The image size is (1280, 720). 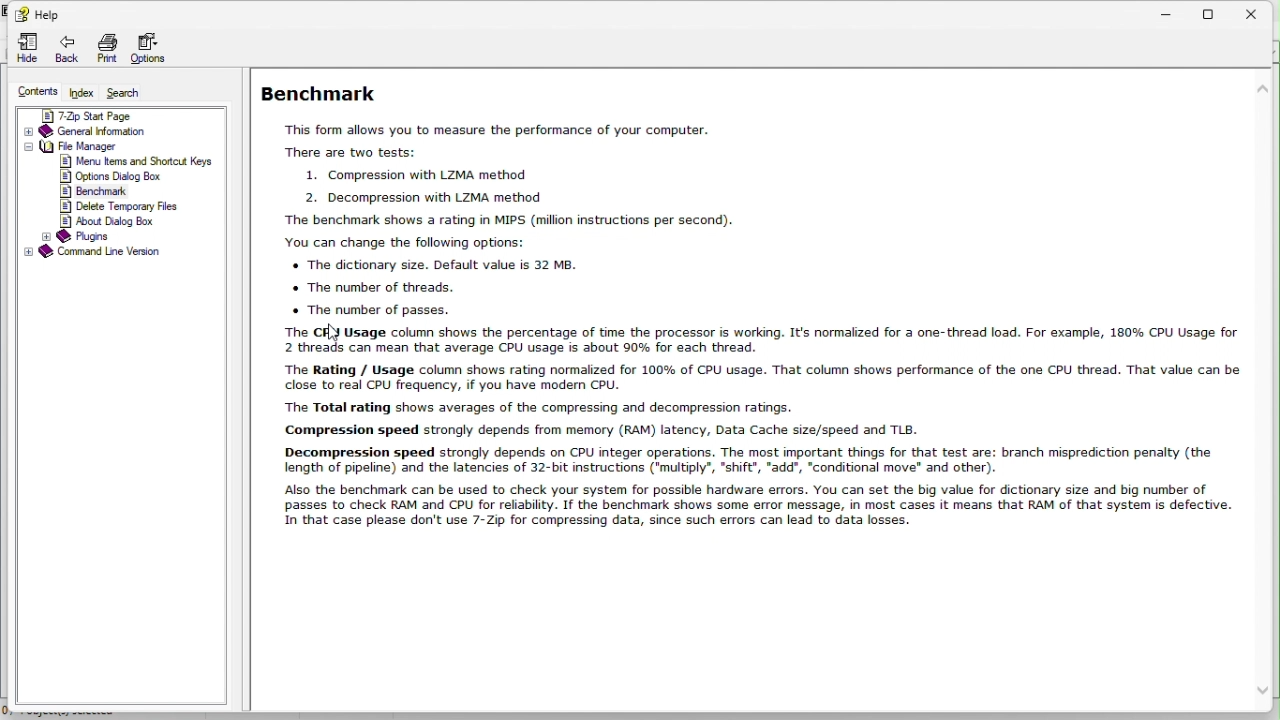 I want to click on Contents, so click(x=31, y=91).